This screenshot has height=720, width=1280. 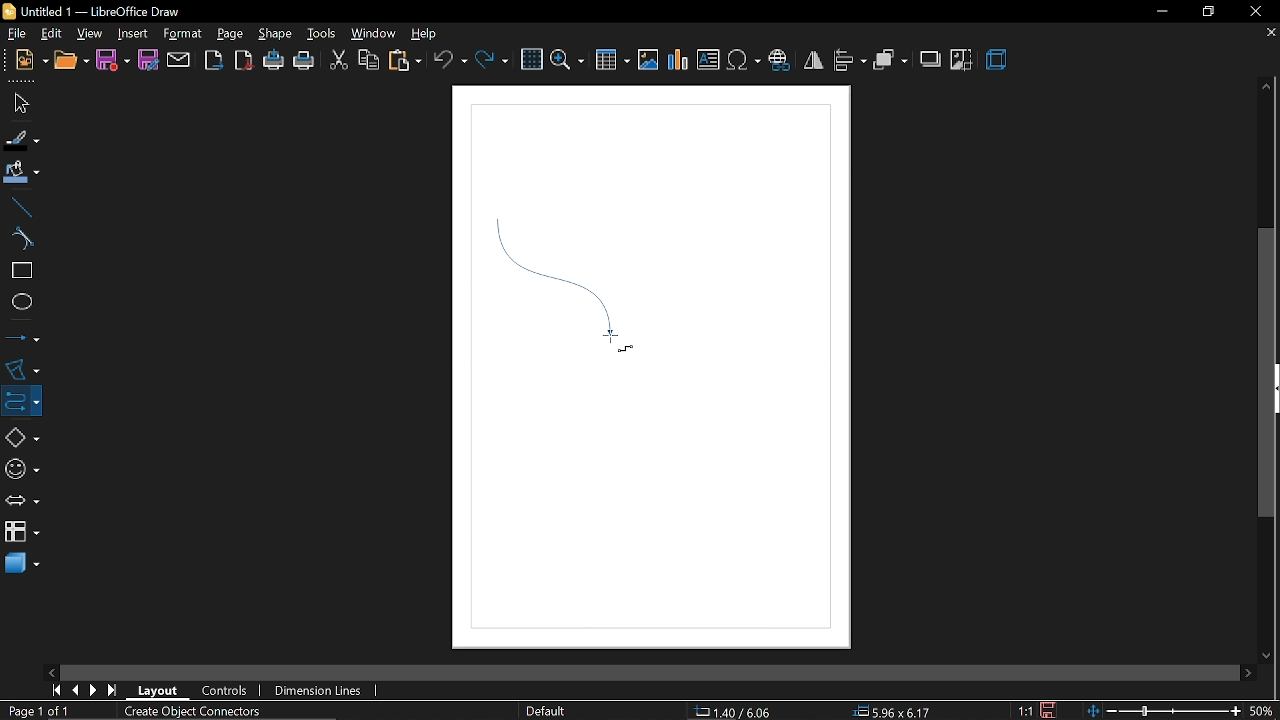 What do you see at coordinates (679, 60) in the screenshot?
I see `Insert chart` at bounding box center [679, 60].